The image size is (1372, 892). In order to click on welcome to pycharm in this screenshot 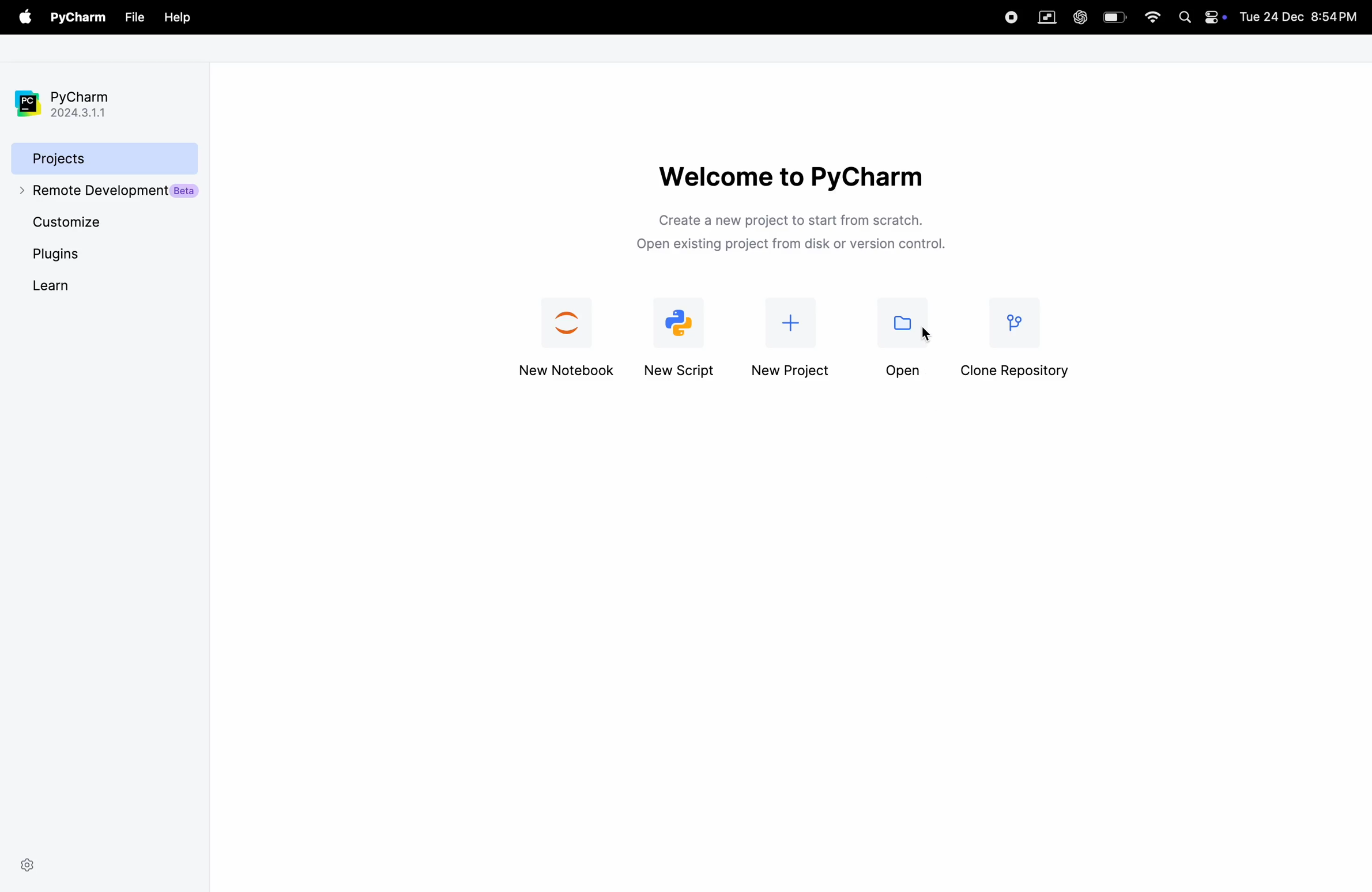, I will do `click(791, 175)`.